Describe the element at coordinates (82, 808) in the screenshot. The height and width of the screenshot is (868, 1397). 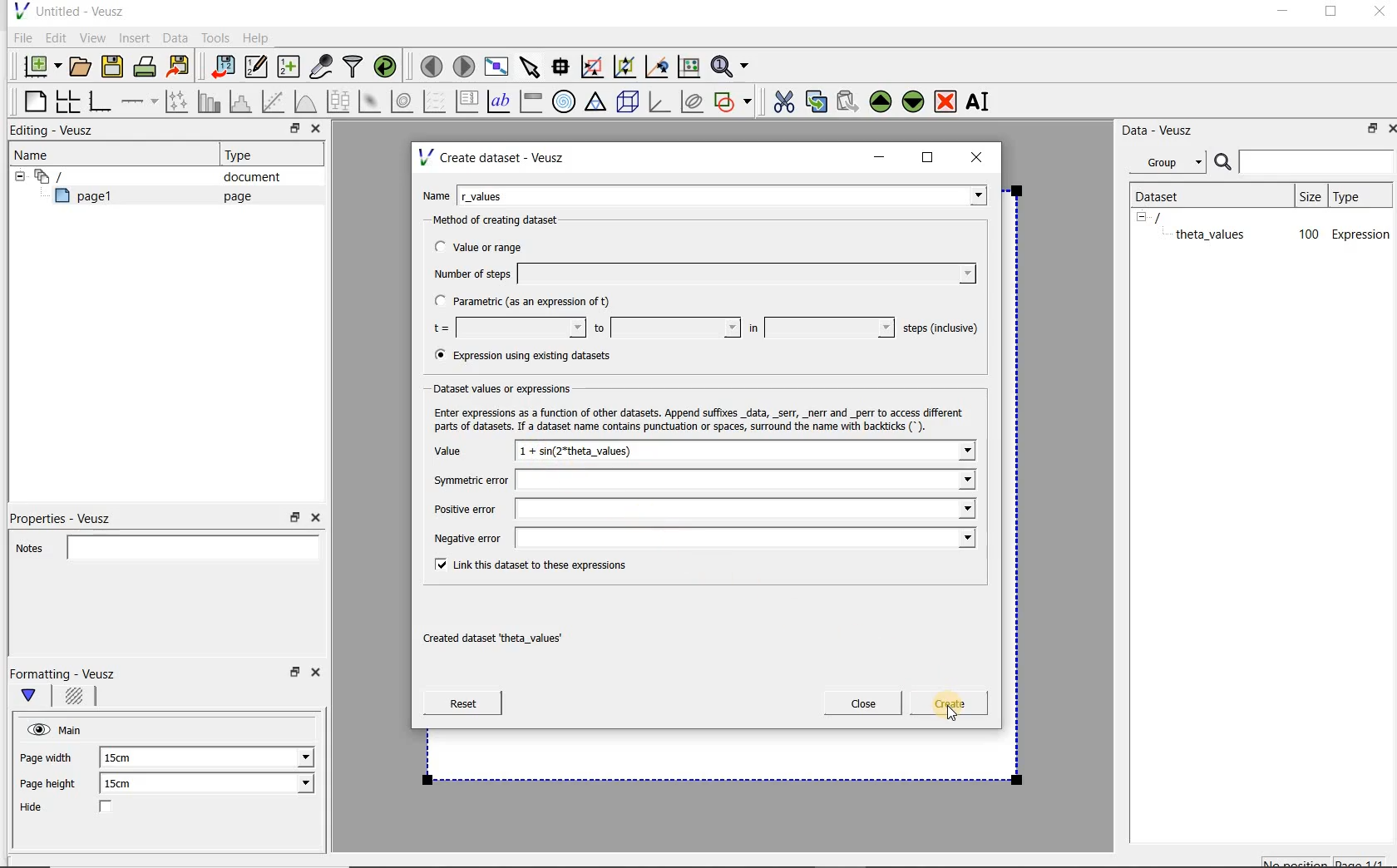
I see `Hide` at that location.